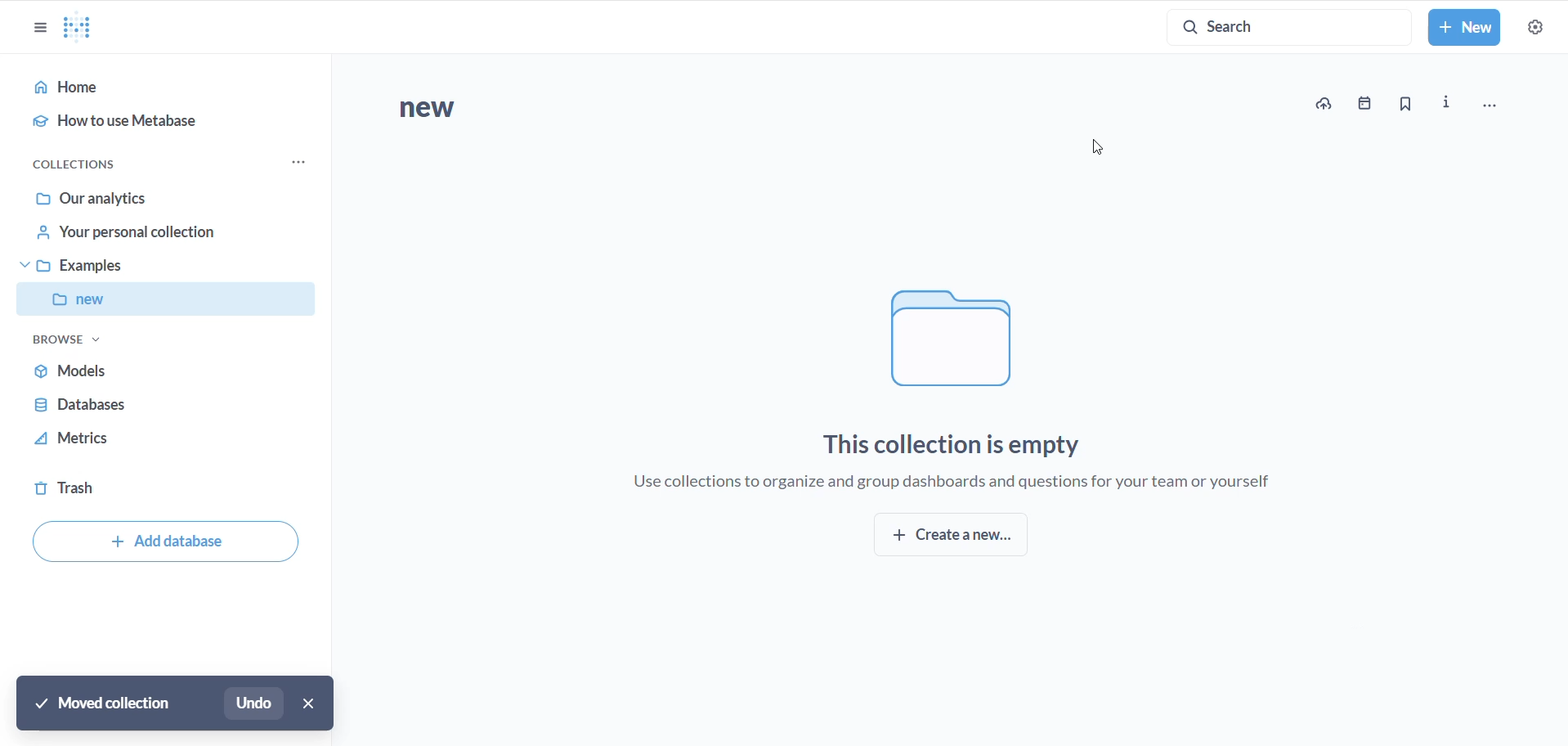 The image size is (1568, 746). What do you see at coordinates (135, 370) in the screenshot?
I see `models` at bounding box center [135, 370].